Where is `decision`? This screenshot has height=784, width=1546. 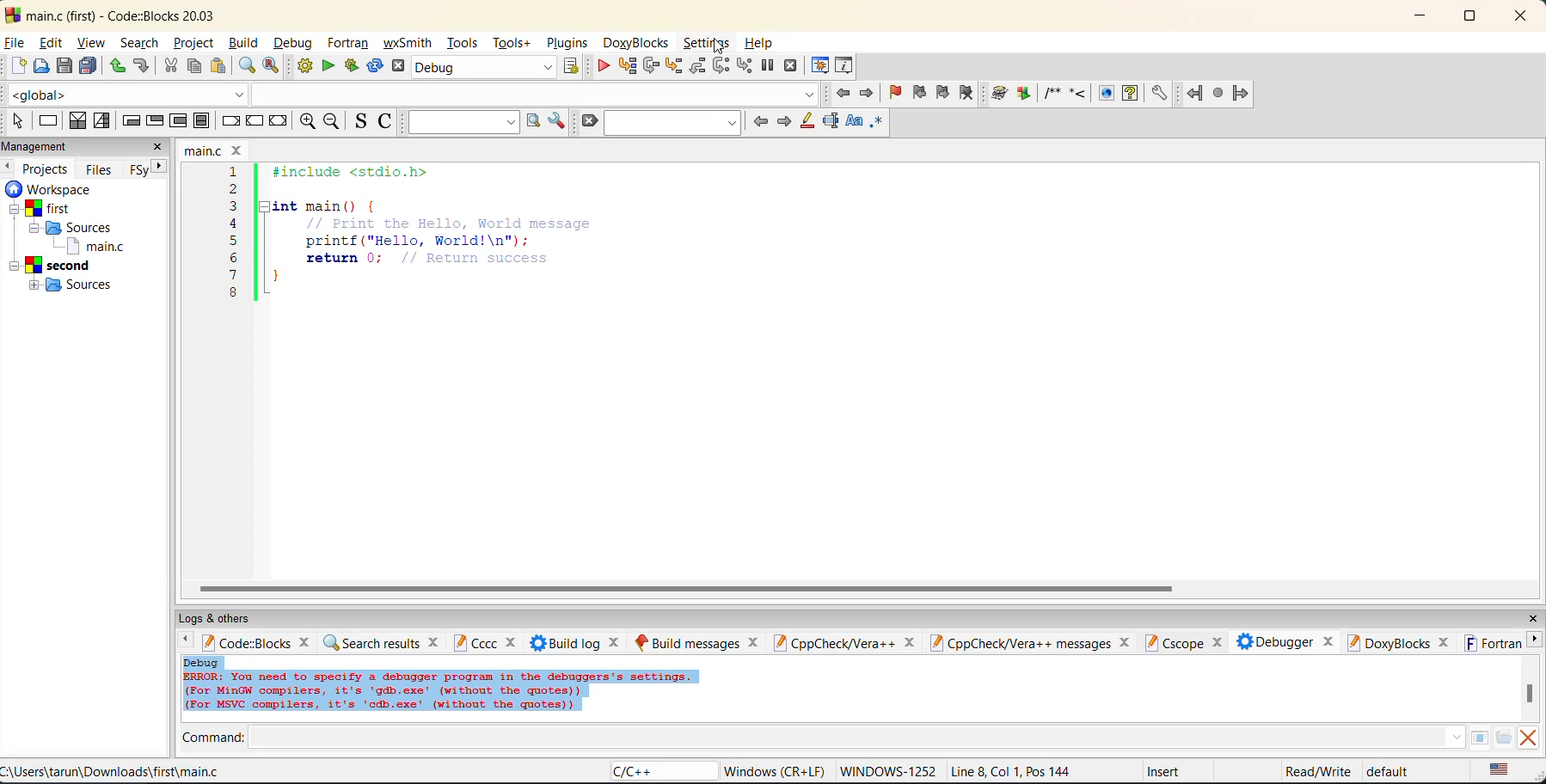 decision is located at coordinates (77, 122).